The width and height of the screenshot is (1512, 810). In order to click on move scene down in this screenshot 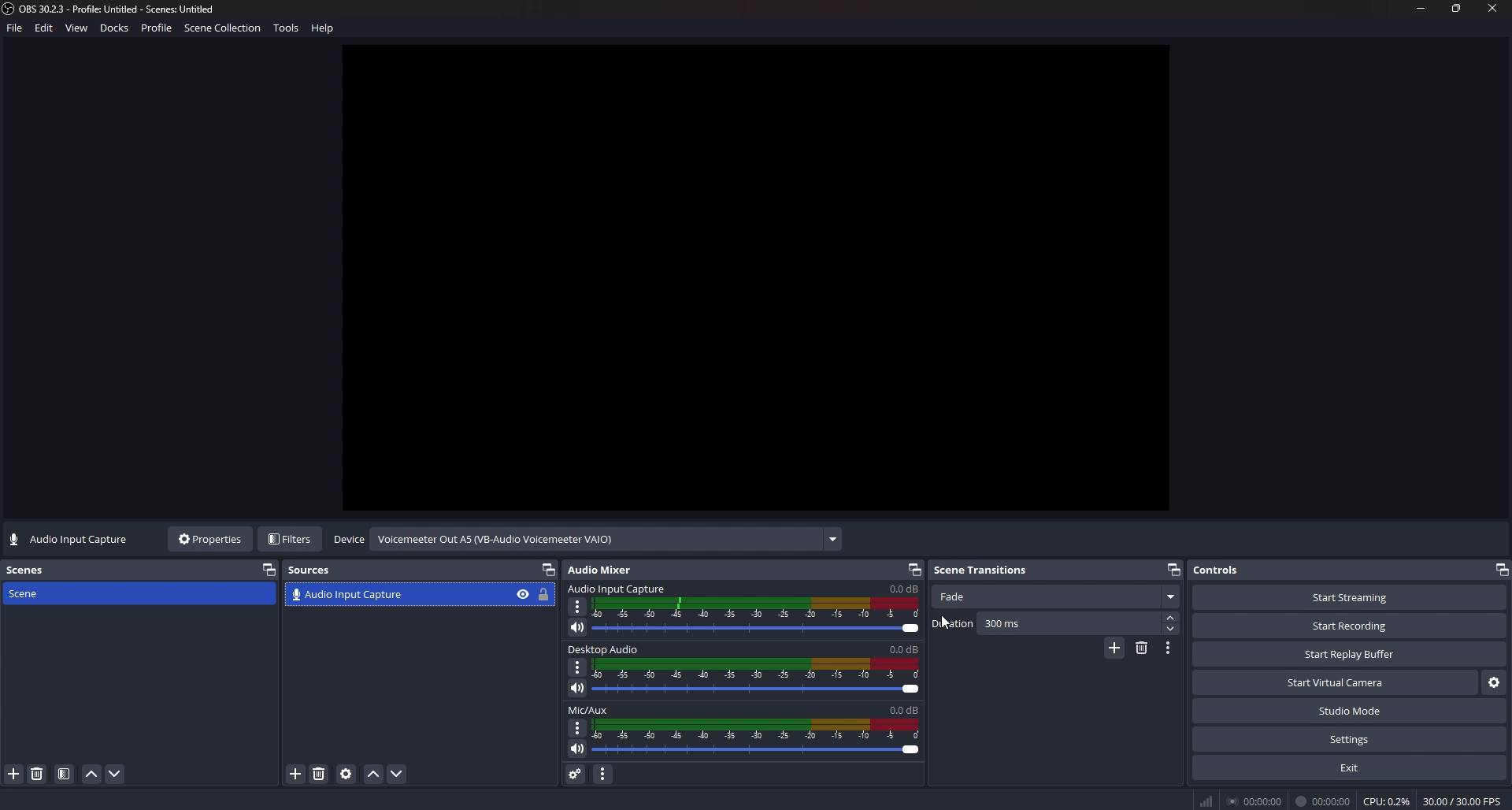, I will do `click(117, 774)`.